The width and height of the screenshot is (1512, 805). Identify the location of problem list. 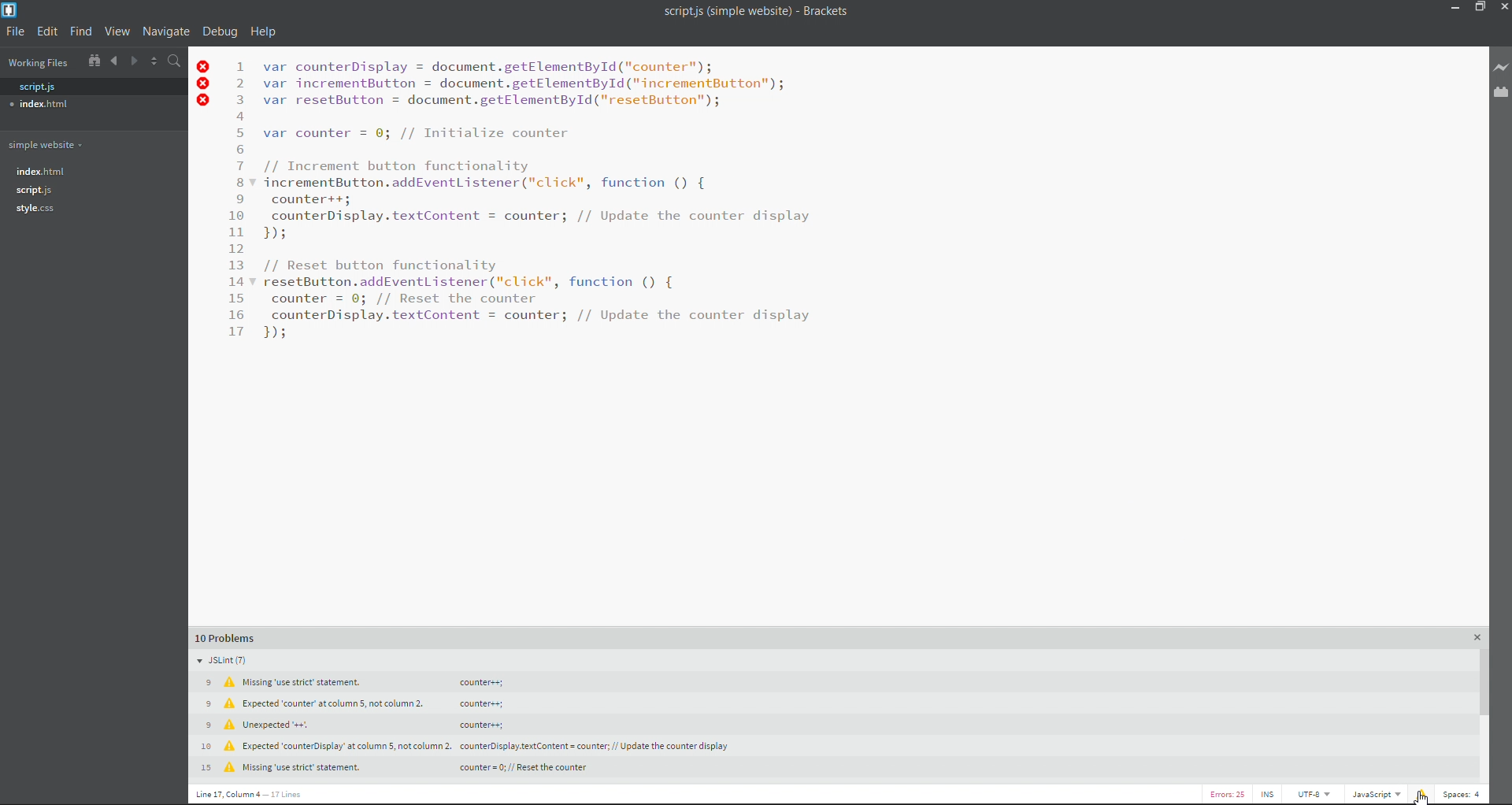
(812, 636).